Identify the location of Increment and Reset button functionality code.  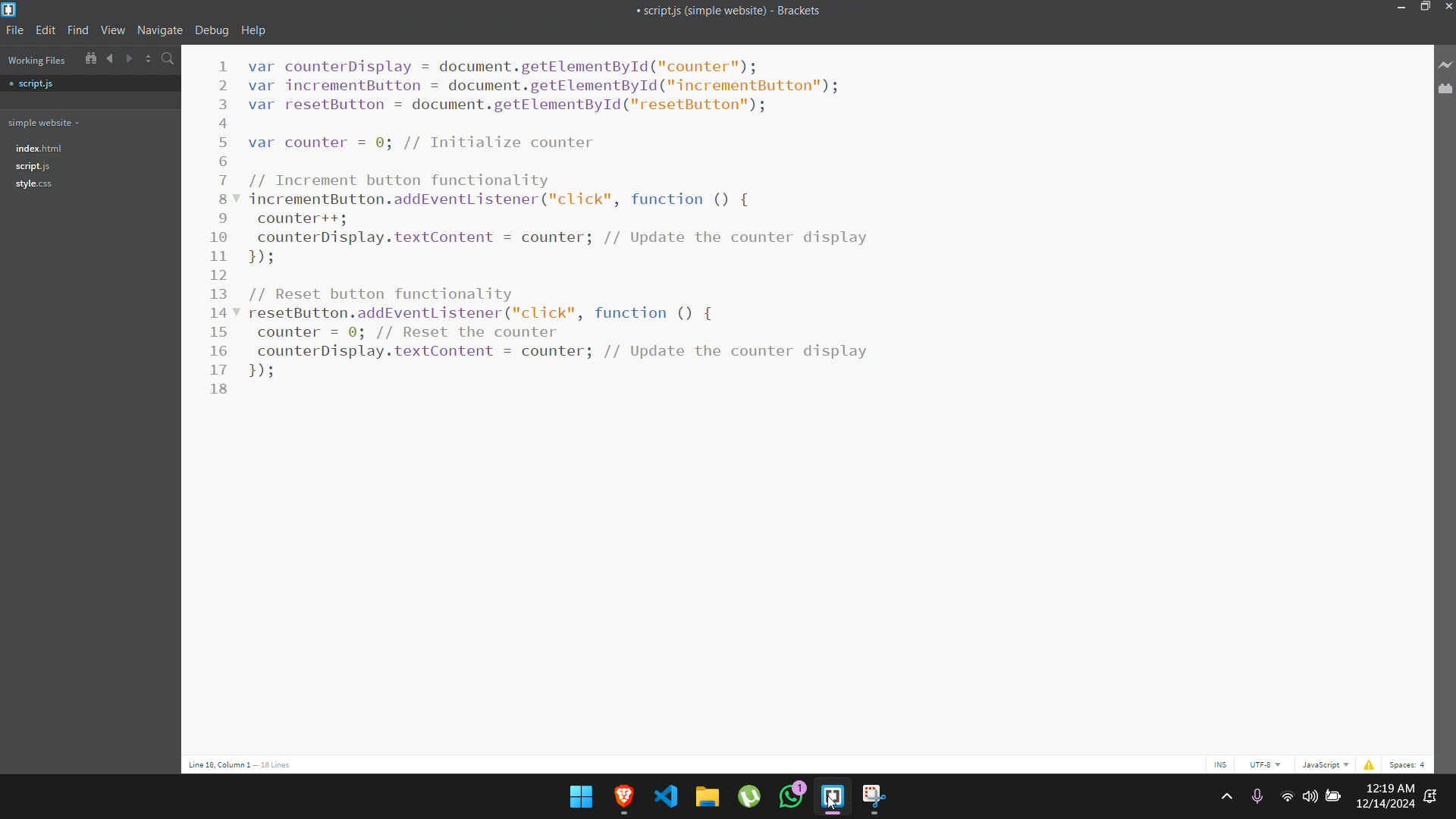
(595, 220).